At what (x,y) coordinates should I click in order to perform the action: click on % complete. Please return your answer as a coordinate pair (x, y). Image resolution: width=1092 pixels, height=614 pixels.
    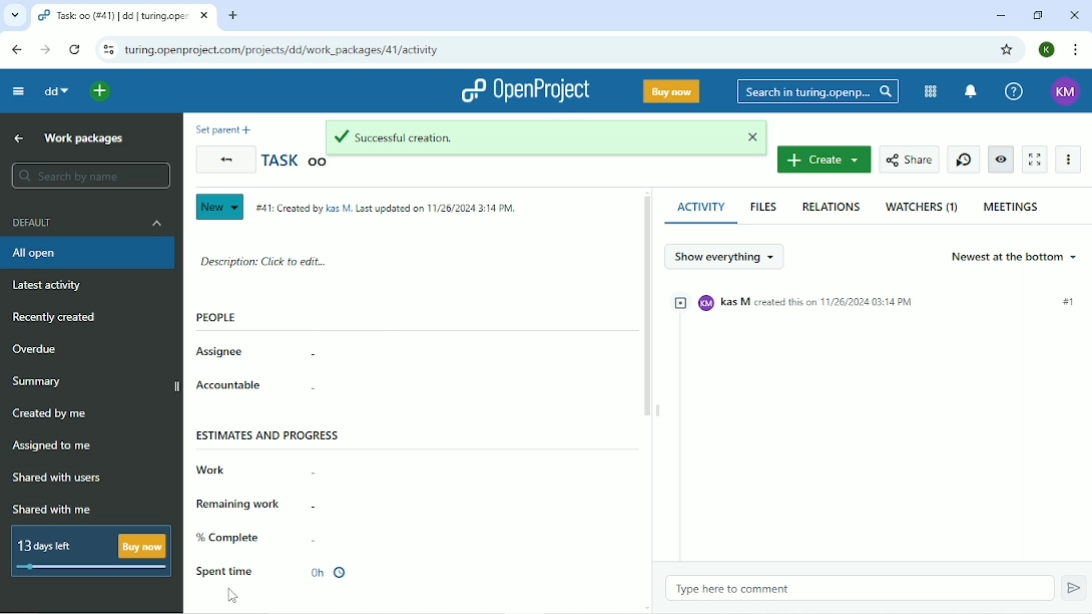
    Looking at the image, I should click on (231, 538).